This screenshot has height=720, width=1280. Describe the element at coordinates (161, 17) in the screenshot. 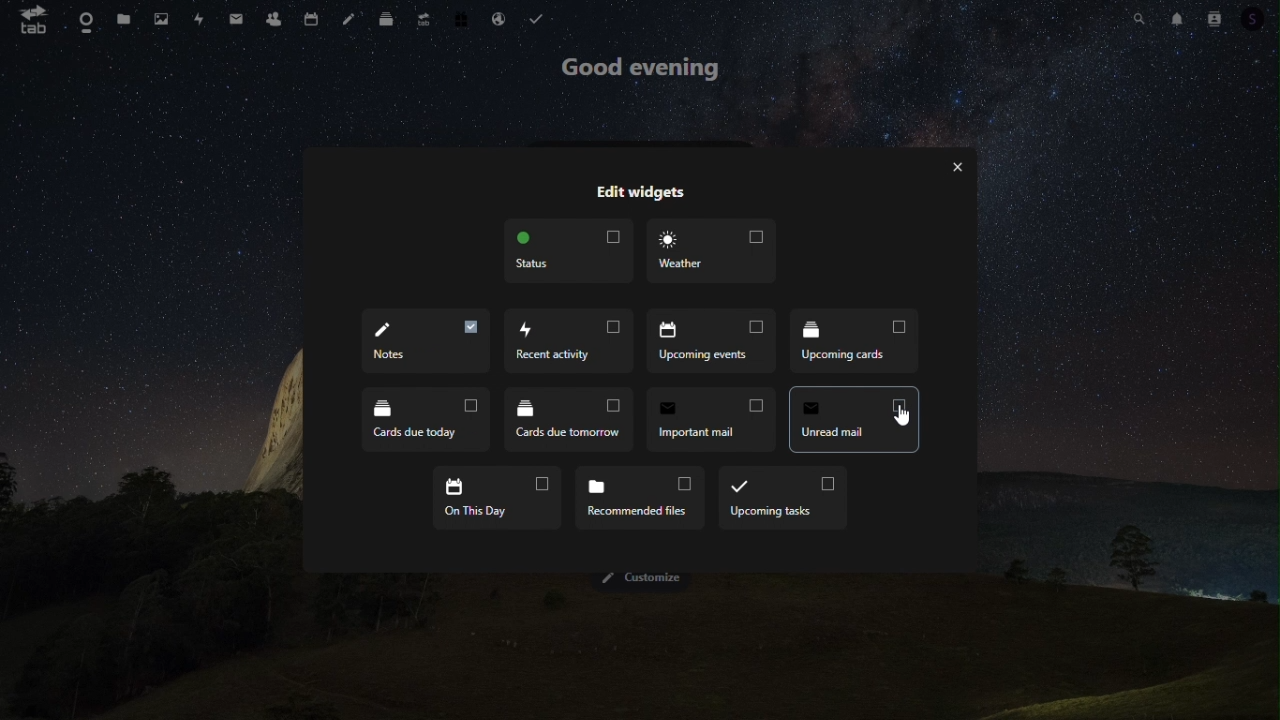

I see `Photos` at that location.